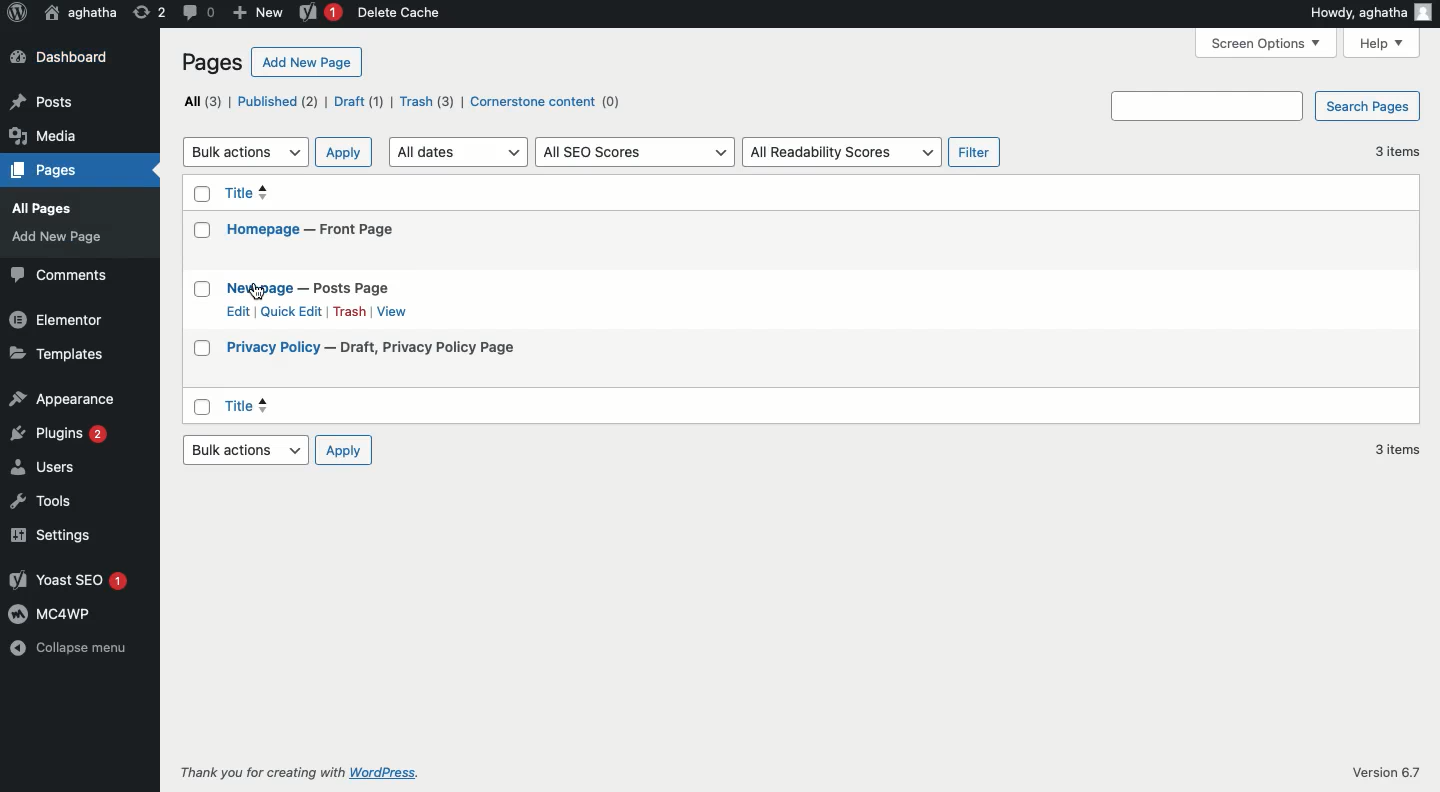 The width and height of the screenshot is (1440, 792). Describe the element at coordinates (59, 433) in the screenshot. I see `Plugins` at that location.